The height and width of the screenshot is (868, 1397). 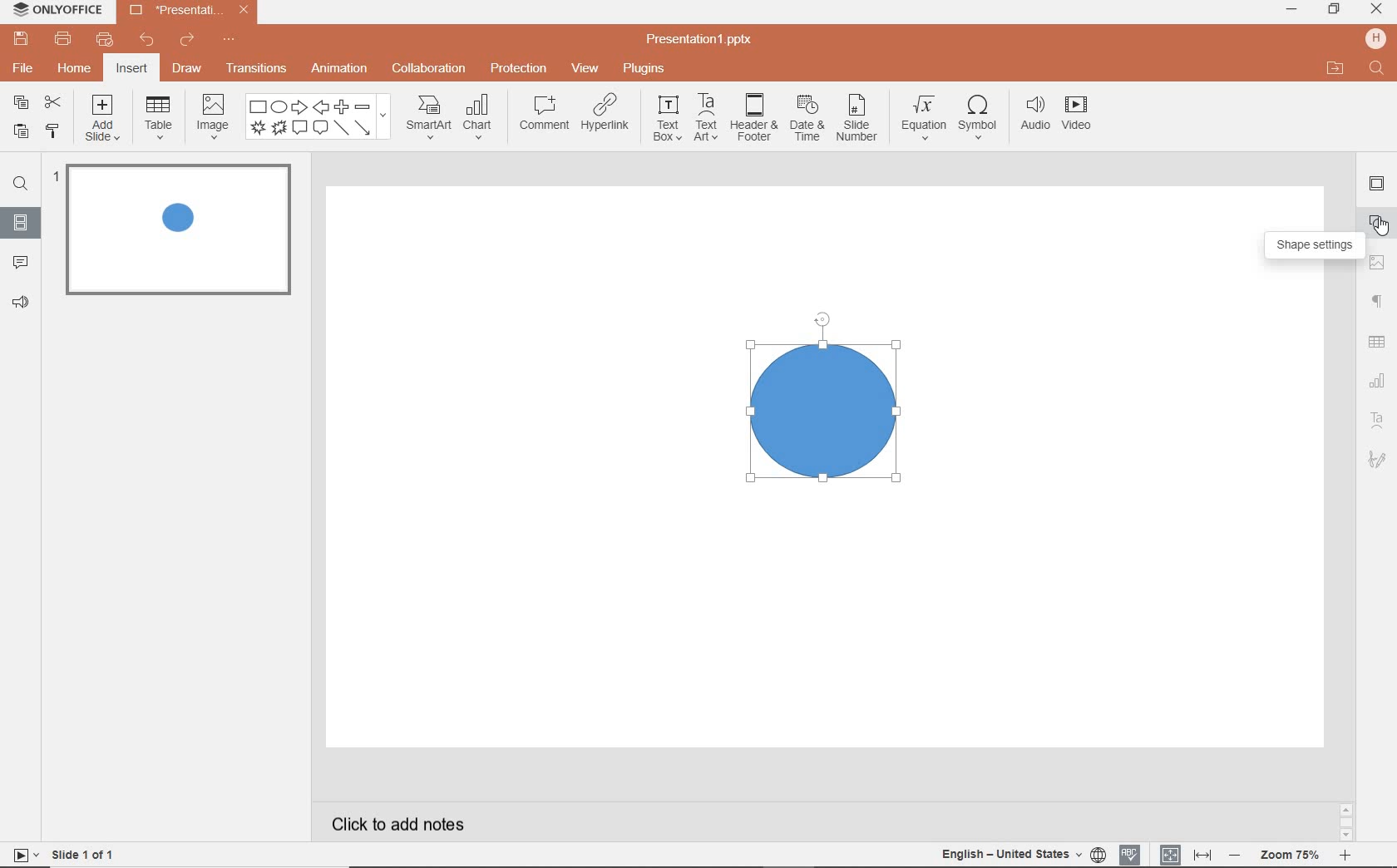 What do you see at coordinates (158, 119) in the screenshot?
I see `table` at bounding box center [158, 119].